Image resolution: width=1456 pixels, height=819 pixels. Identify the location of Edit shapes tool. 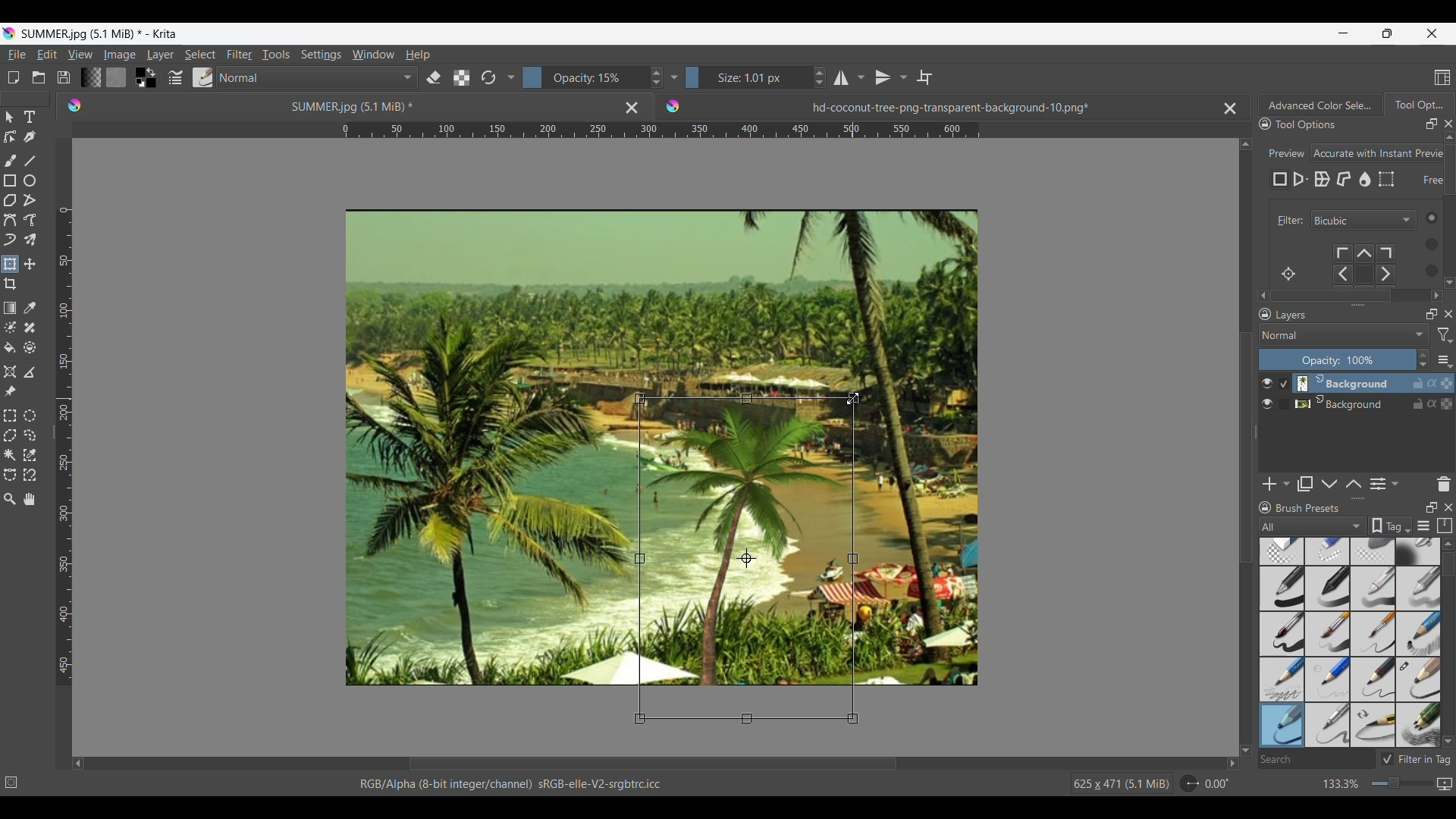
(10, 136).